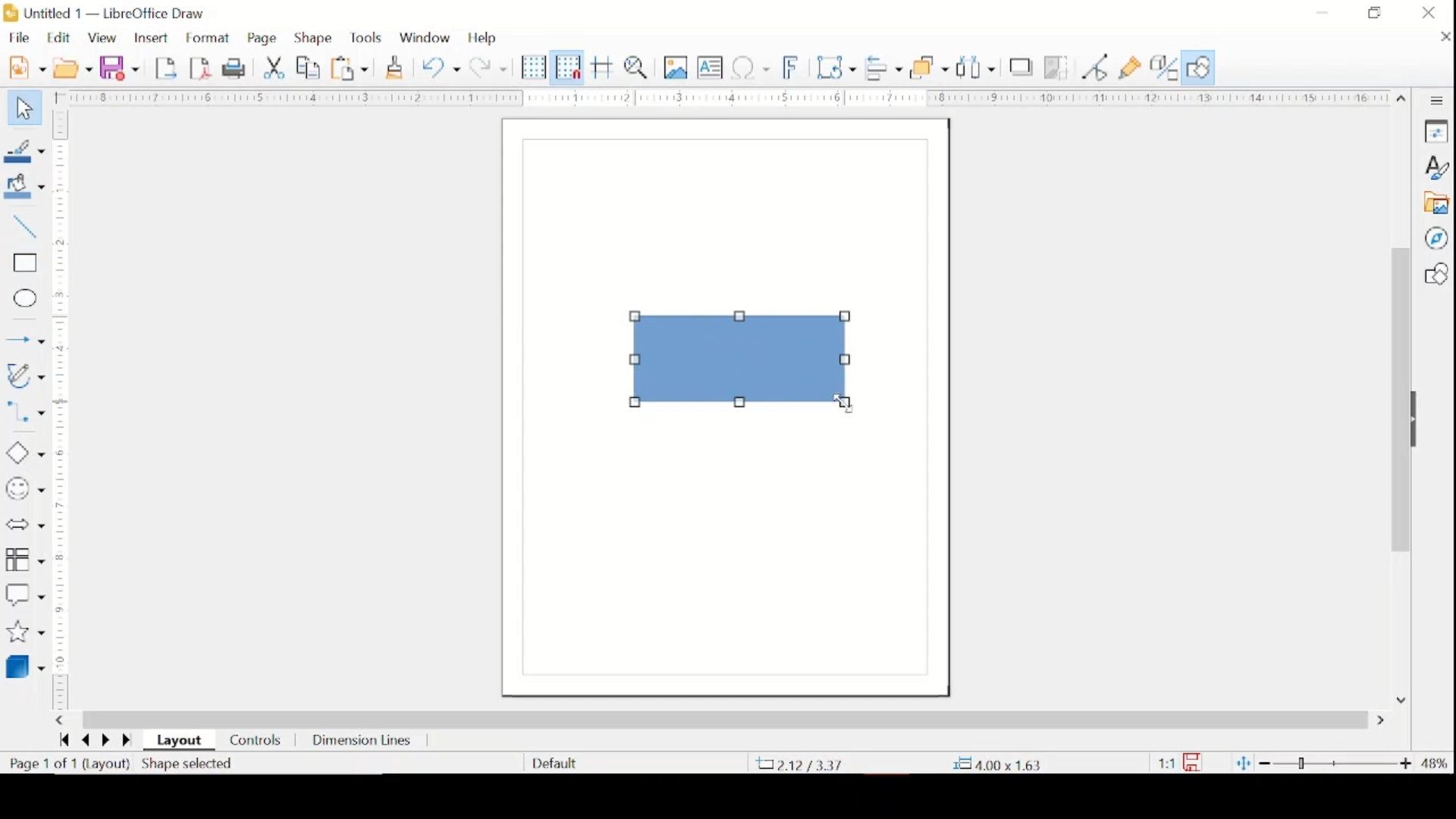  Describe the element at coordinates (314, 38) in the screenshot. I see `shape` at that location.